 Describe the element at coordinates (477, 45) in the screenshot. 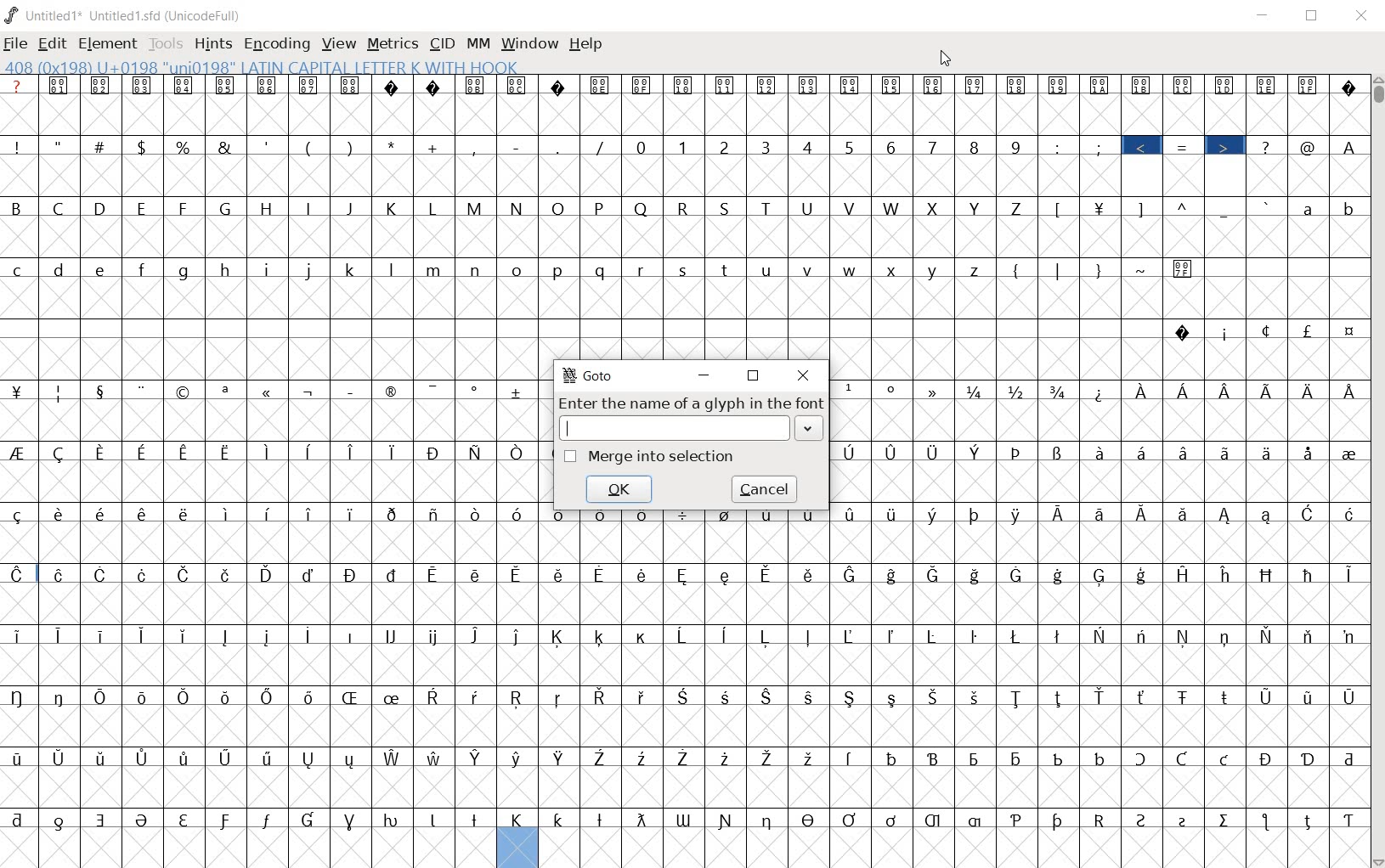

I see `mm` at that location.